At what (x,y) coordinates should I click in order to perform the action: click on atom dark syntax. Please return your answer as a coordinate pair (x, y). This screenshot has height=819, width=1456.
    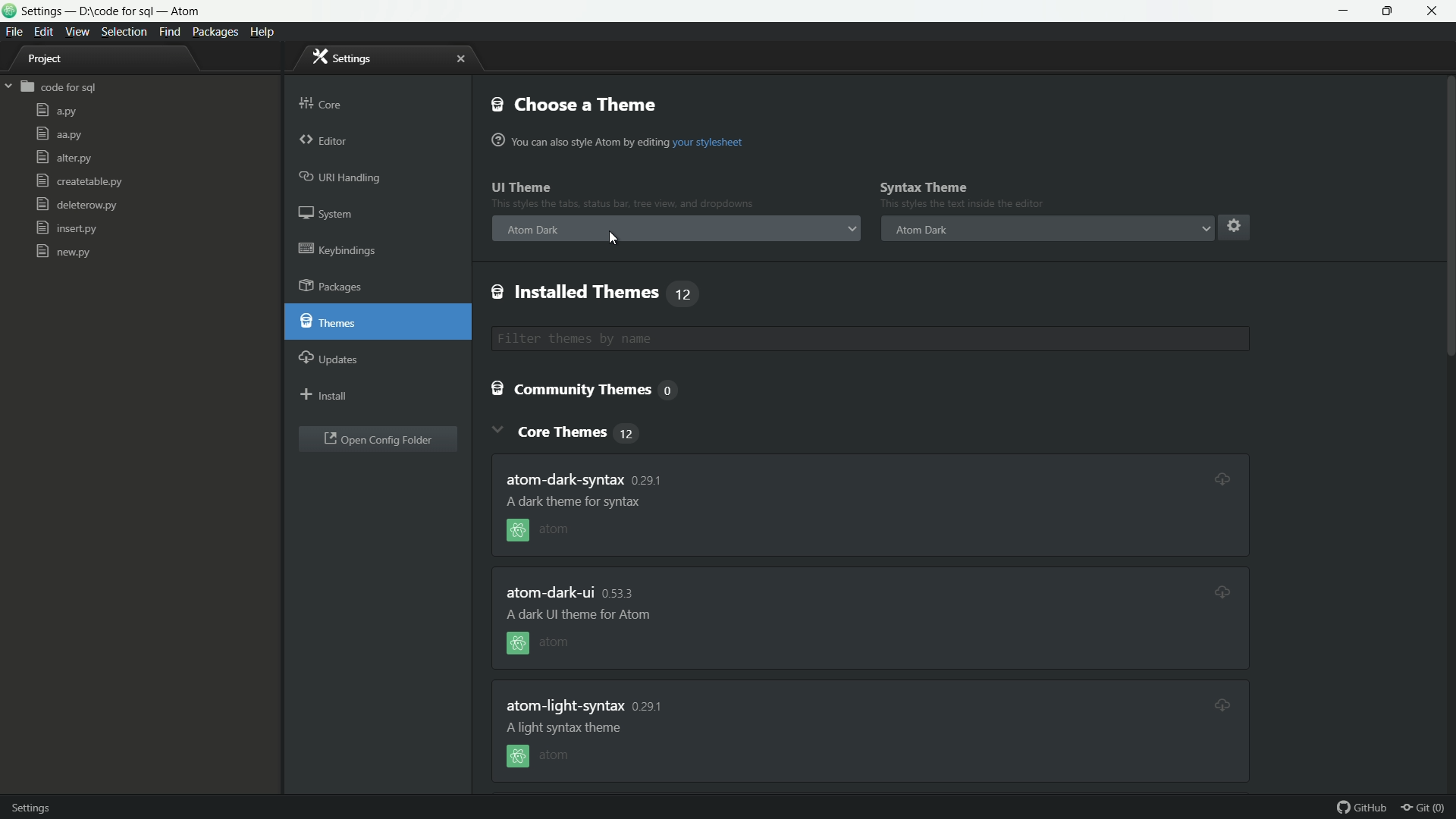
    Looking at the image, I should click on (590, 478).